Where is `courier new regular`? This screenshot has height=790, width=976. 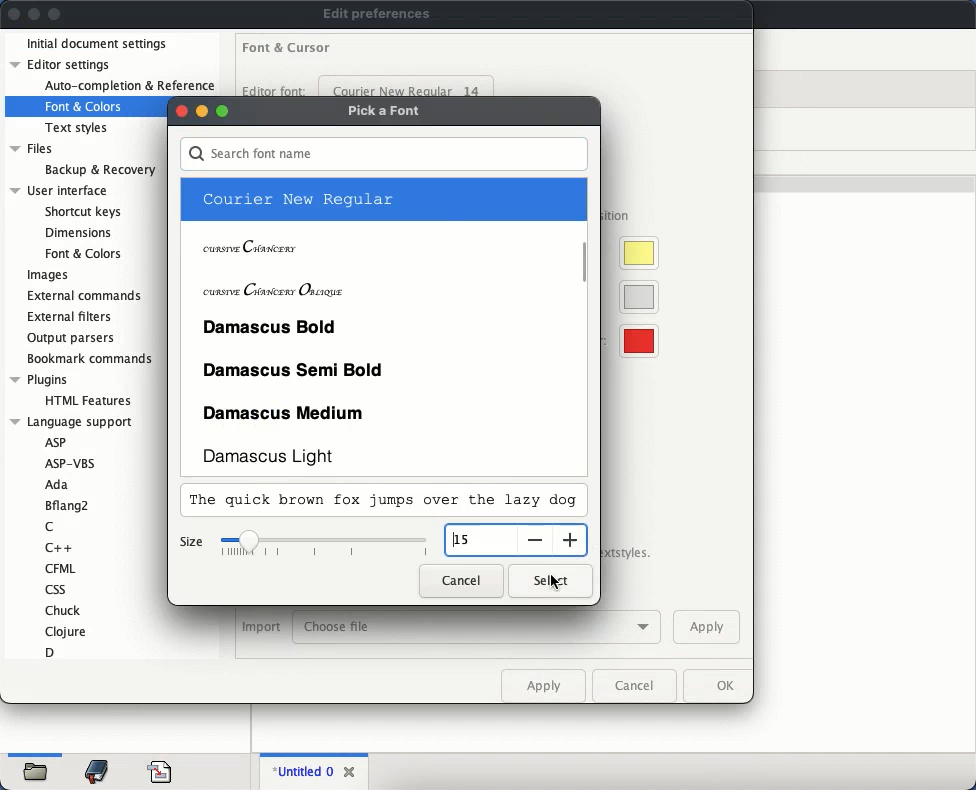 courier new regular is located at coordinates (407, 87).